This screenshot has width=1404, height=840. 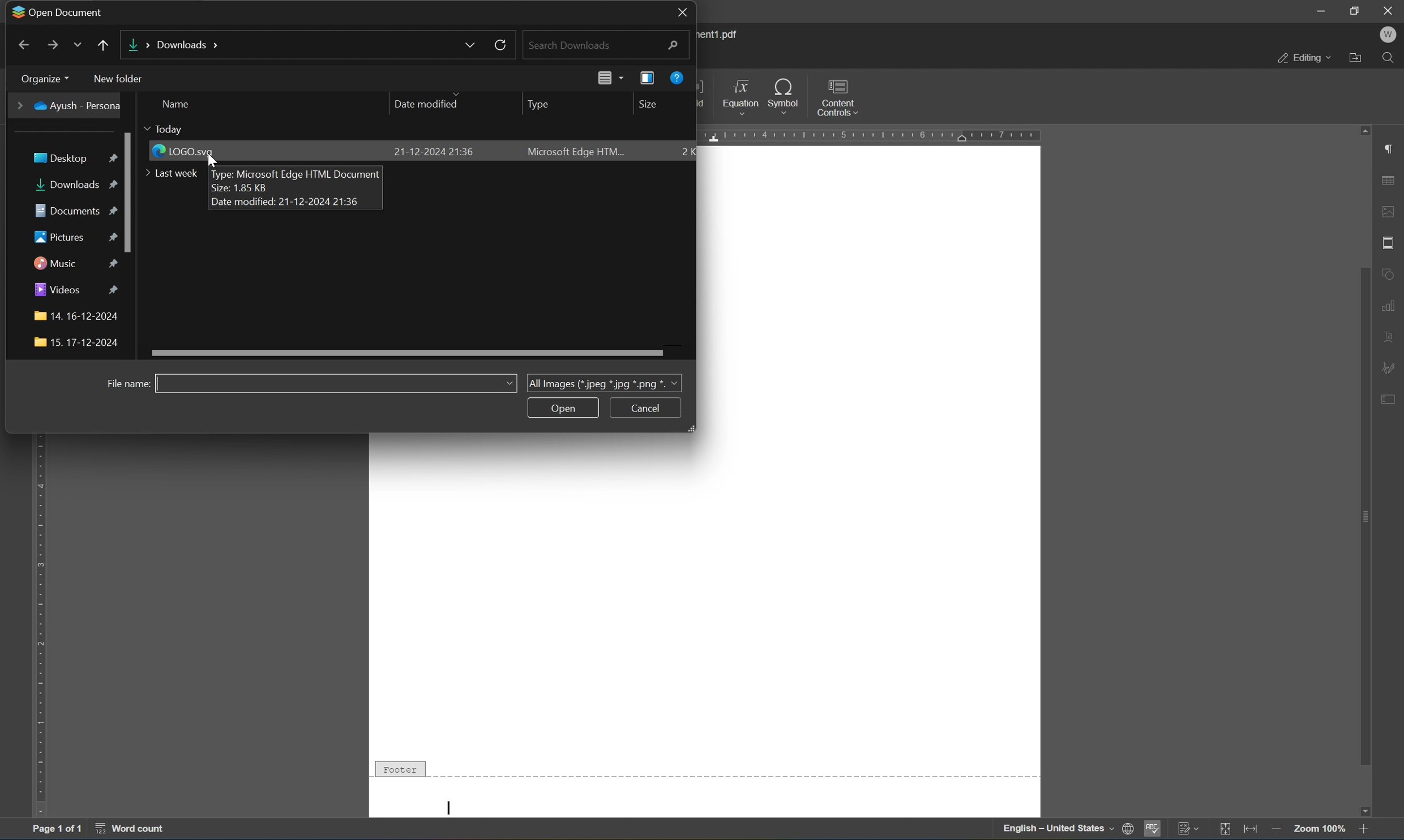 What do you see at coordinates (1392, 149) in the screenshot?
I see `paragraph settings` at bounding box center [1392, 149].